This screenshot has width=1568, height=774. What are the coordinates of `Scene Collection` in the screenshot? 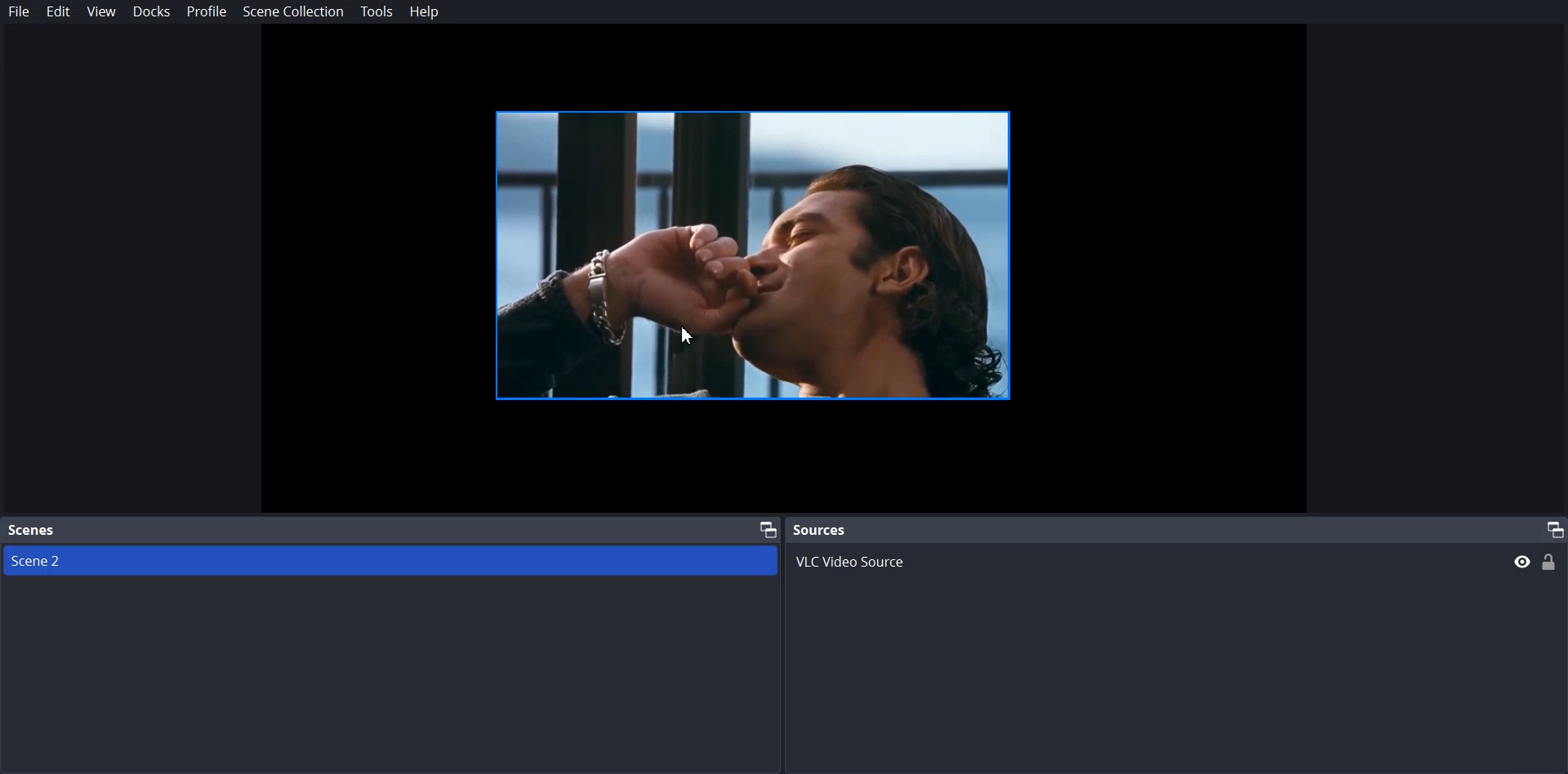 It's located at (293, 12).